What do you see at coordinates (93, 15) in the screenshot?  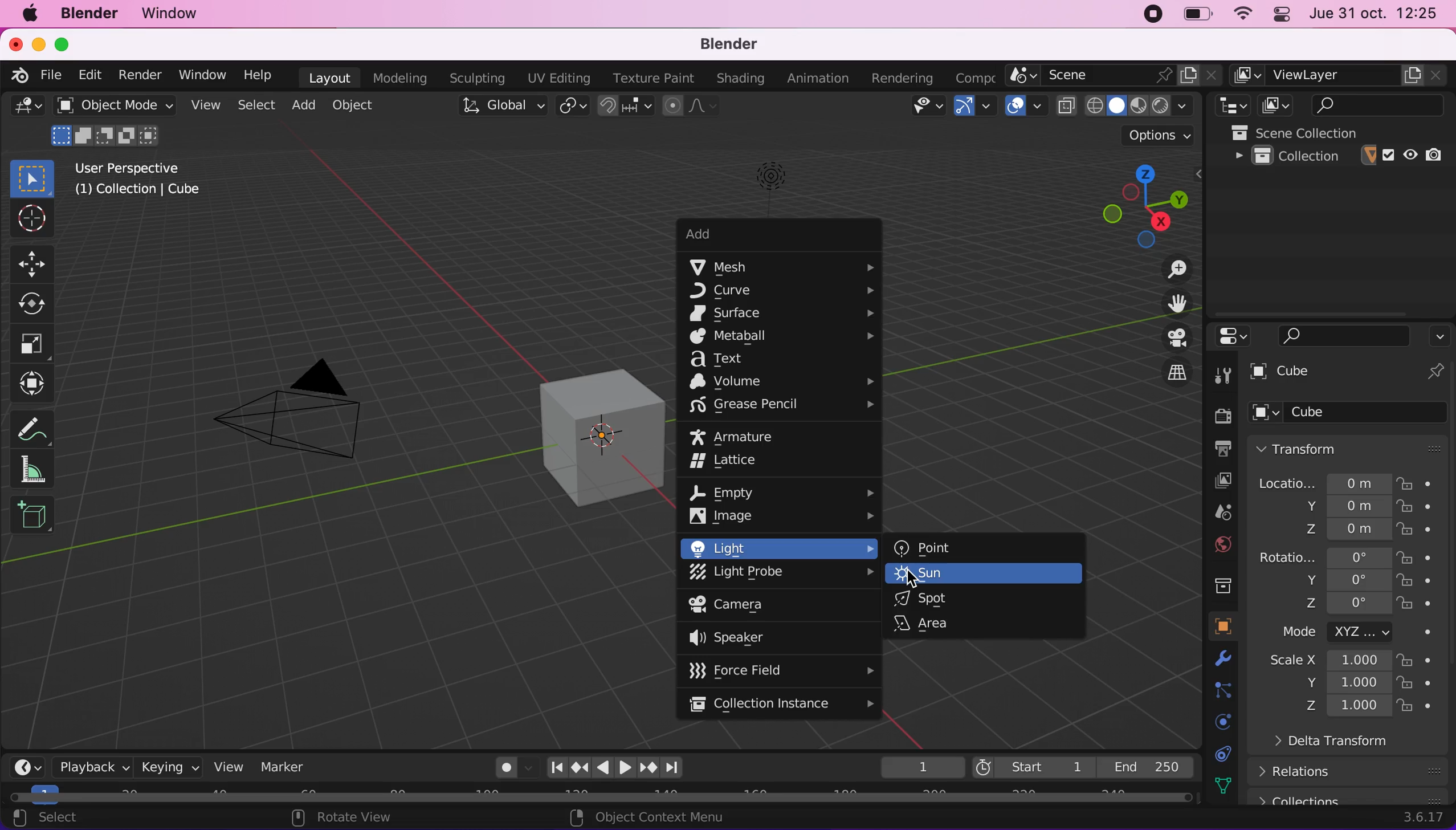 I see `blender` at bounding box center [93, 15].